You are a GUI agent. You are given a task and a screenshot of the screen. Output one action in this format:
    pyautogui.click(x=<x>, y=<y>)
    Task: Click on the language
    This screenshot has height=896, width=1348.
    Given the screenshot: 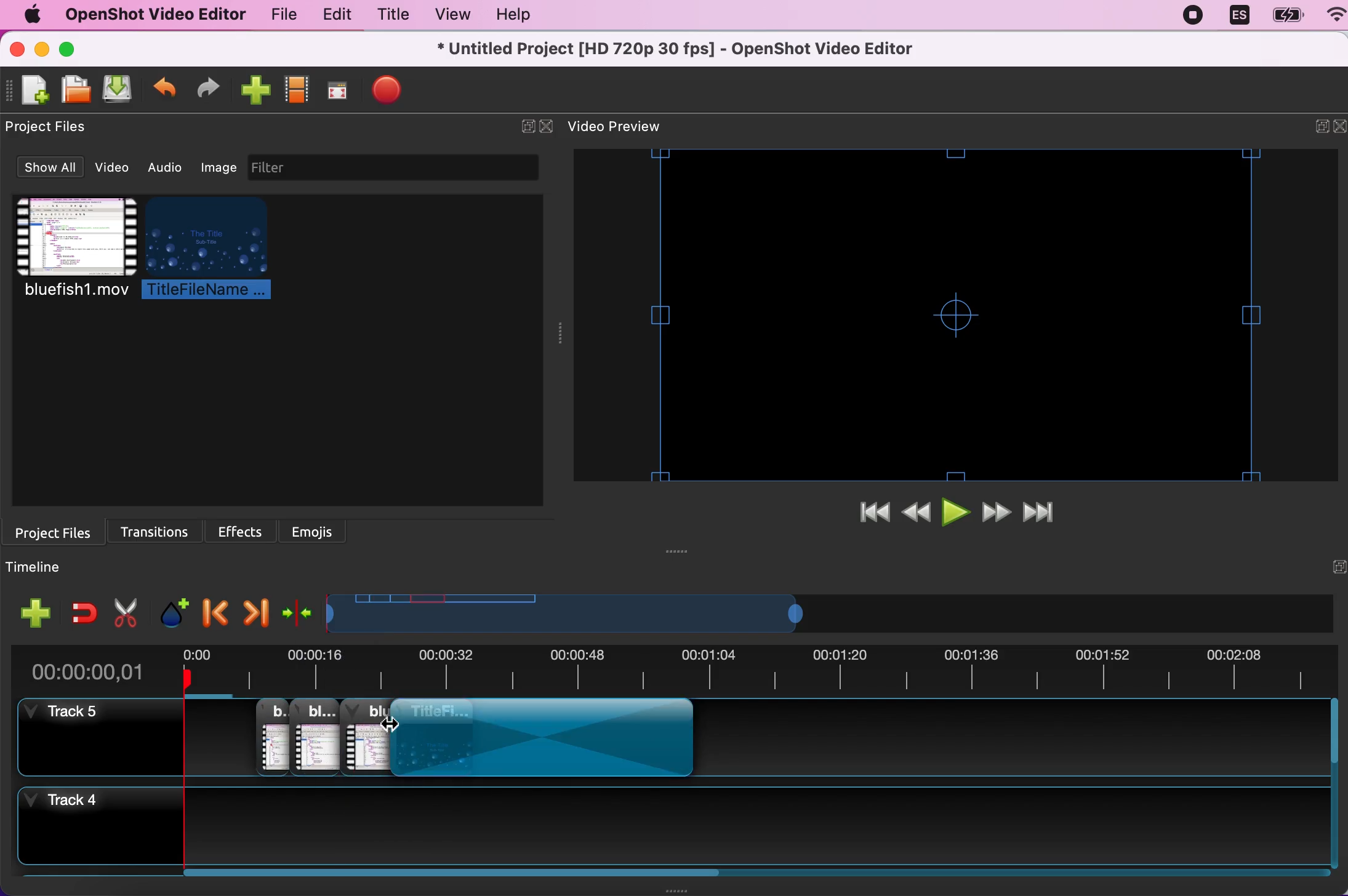 What is the action you would take?
    pyautogui.click(x=1238, y=16)
    